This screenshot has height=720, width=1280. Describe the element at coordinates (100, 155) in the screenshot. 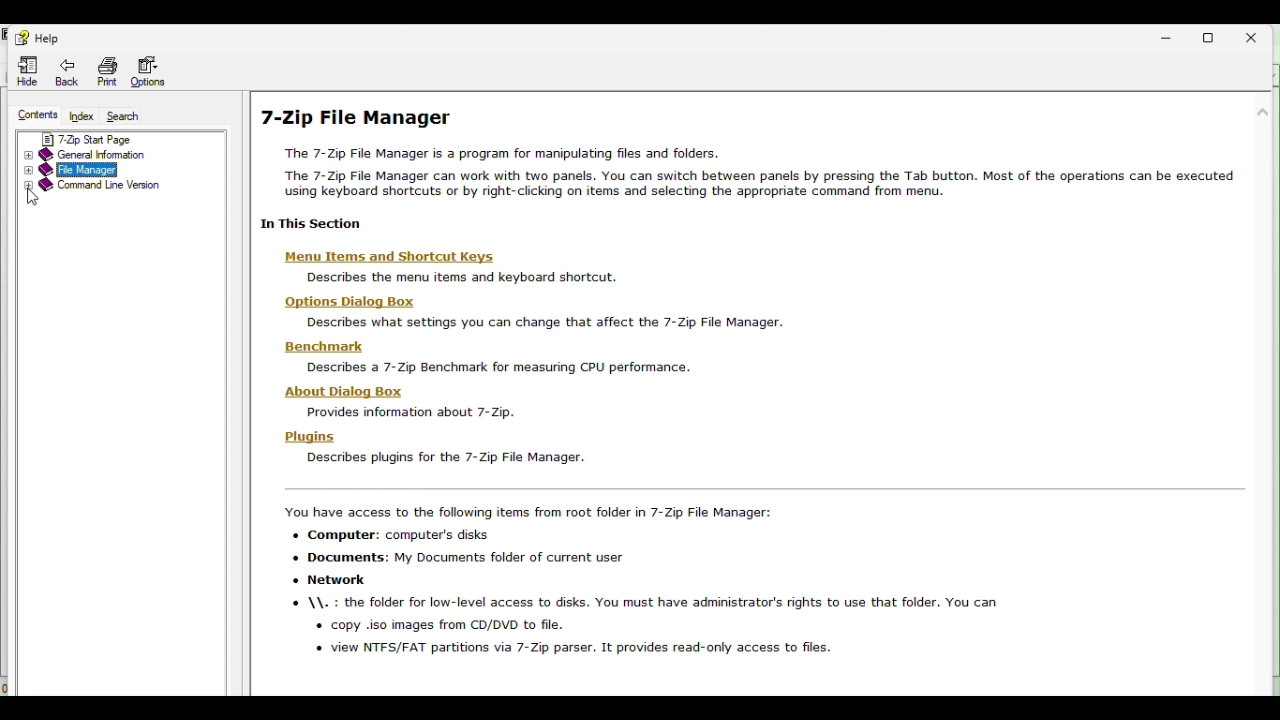

I see `General information` at that location.